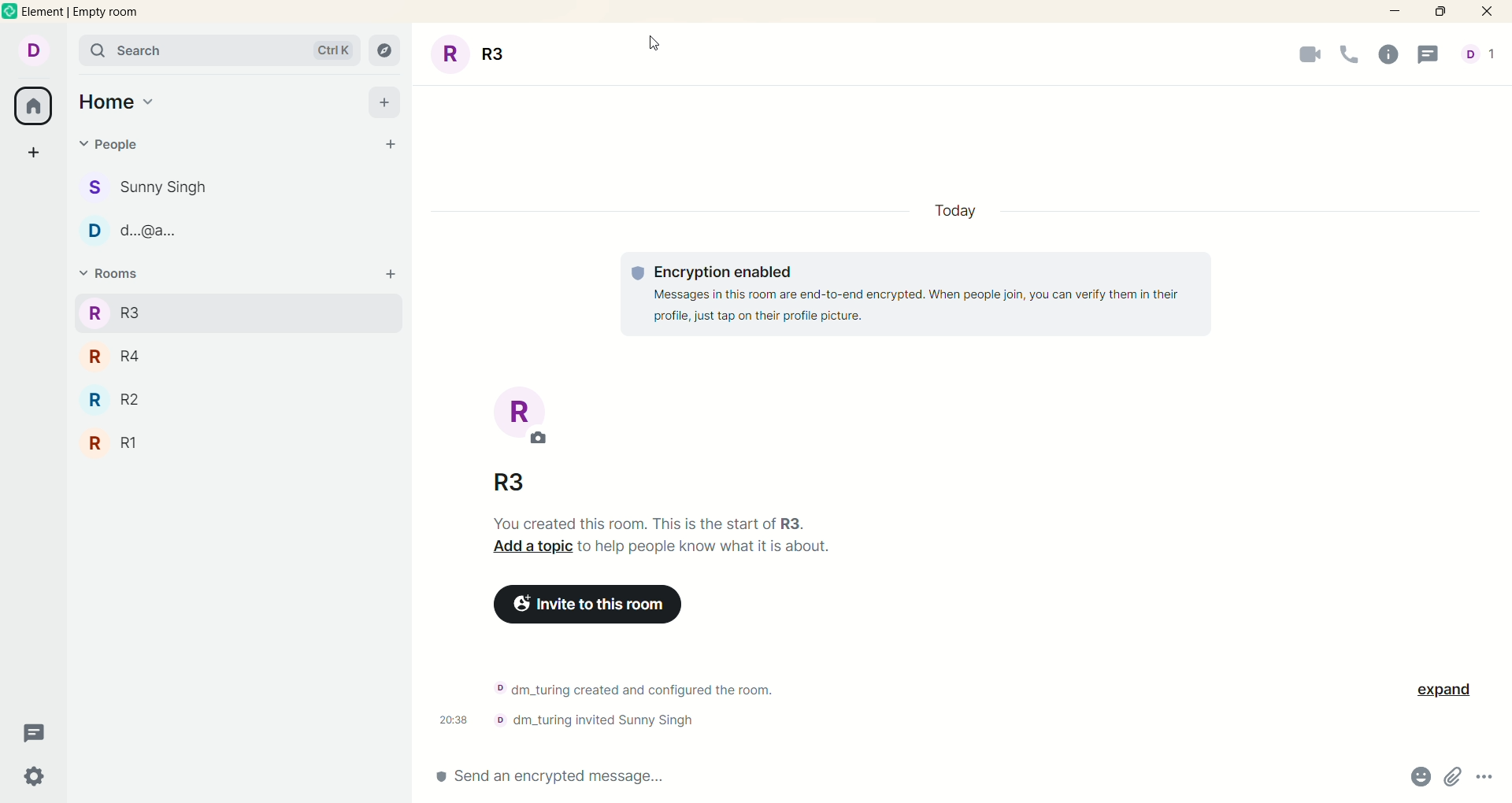  Describe the element at coordinates (1388, 56) in the screenshot. I see `room info` at that location.